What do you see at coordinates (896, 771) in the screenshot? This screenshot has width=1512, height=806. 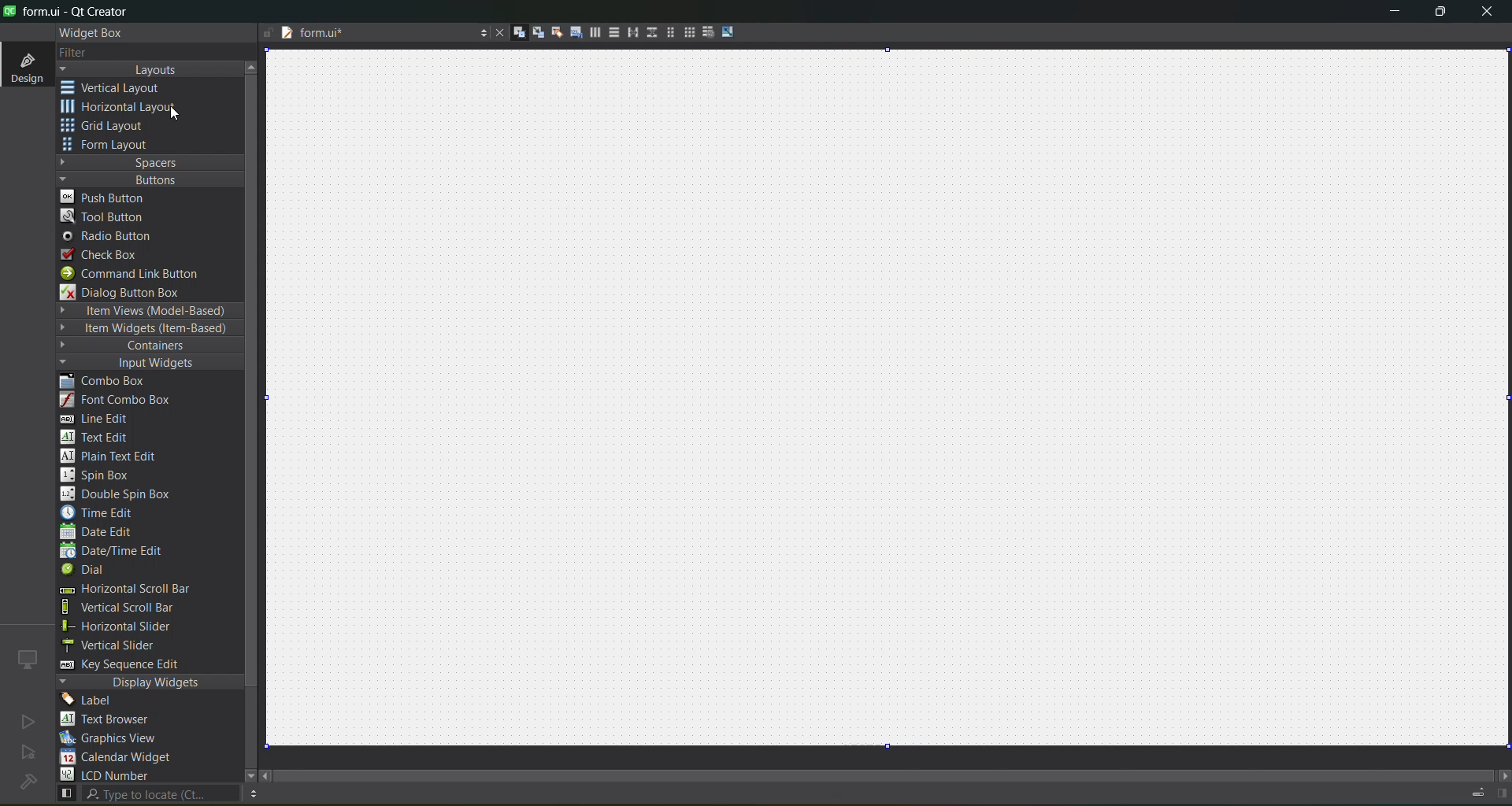 I see `scroll bar` at bounding box center [896, 771].